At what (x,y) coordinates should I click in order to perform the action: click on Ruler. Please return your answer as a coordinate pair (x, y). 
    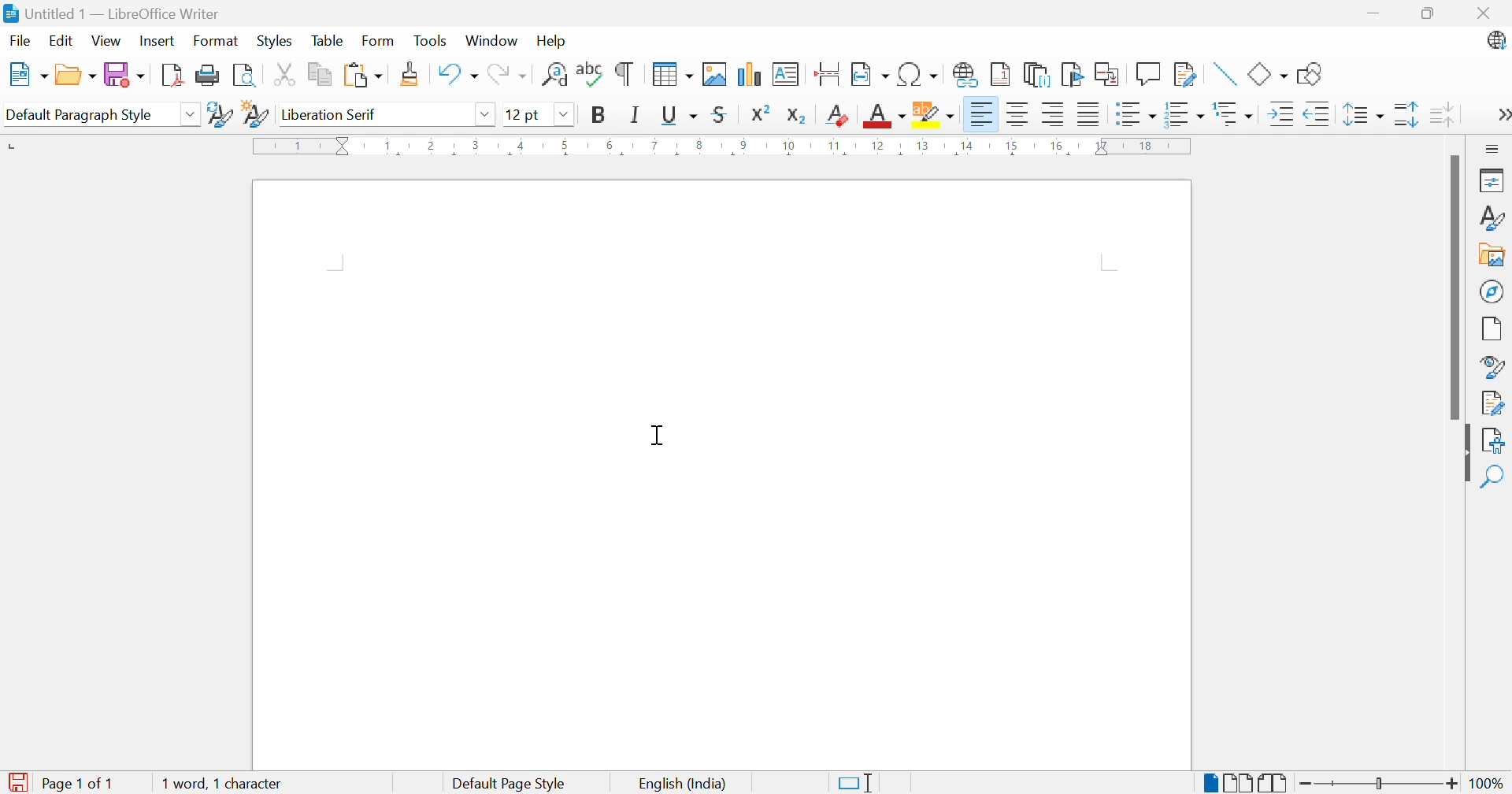
    Looking at the image, I should click on (724, 148).